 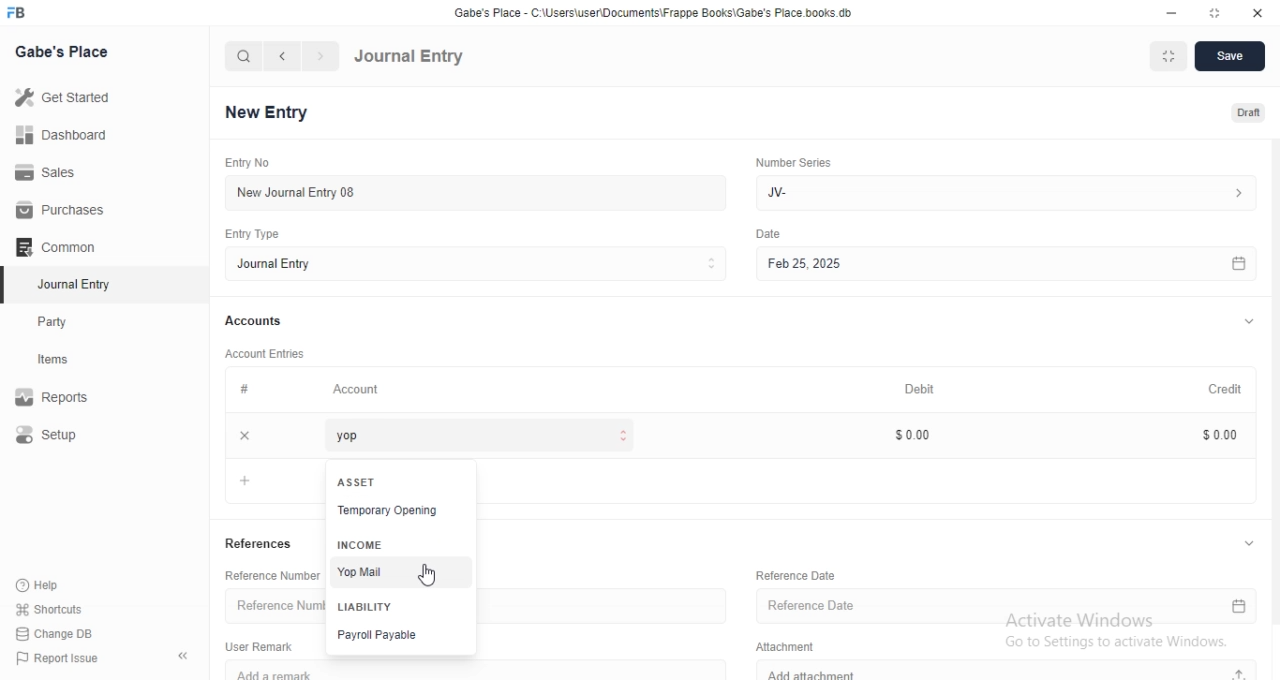 What do you see at coordinates (793, 164) in the screenshot?
I see `Number Series` at bounding box center [793, 164].